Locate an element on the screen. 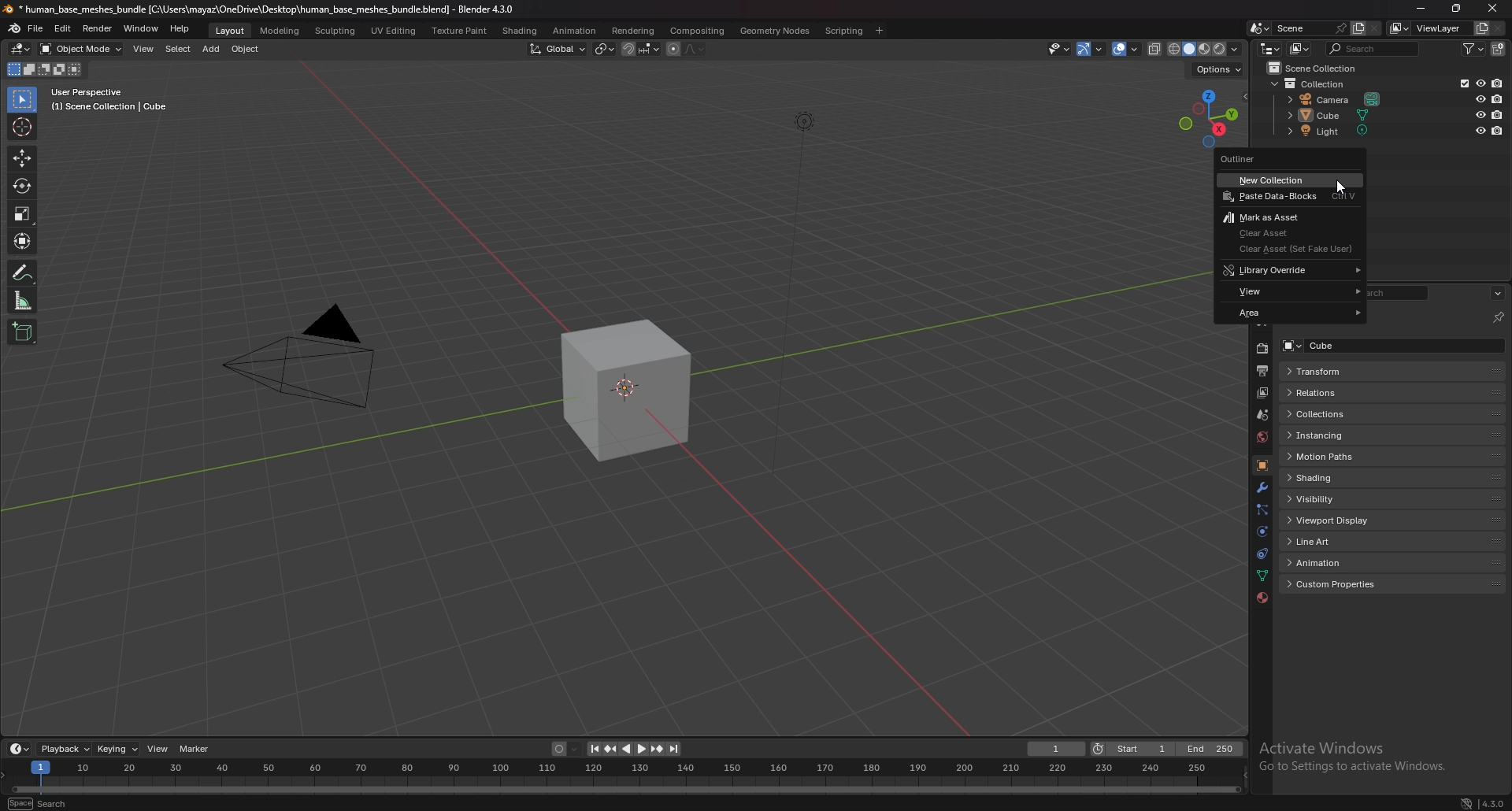 The image size is (1512, 811). anination is located at coordinates (574, 30).